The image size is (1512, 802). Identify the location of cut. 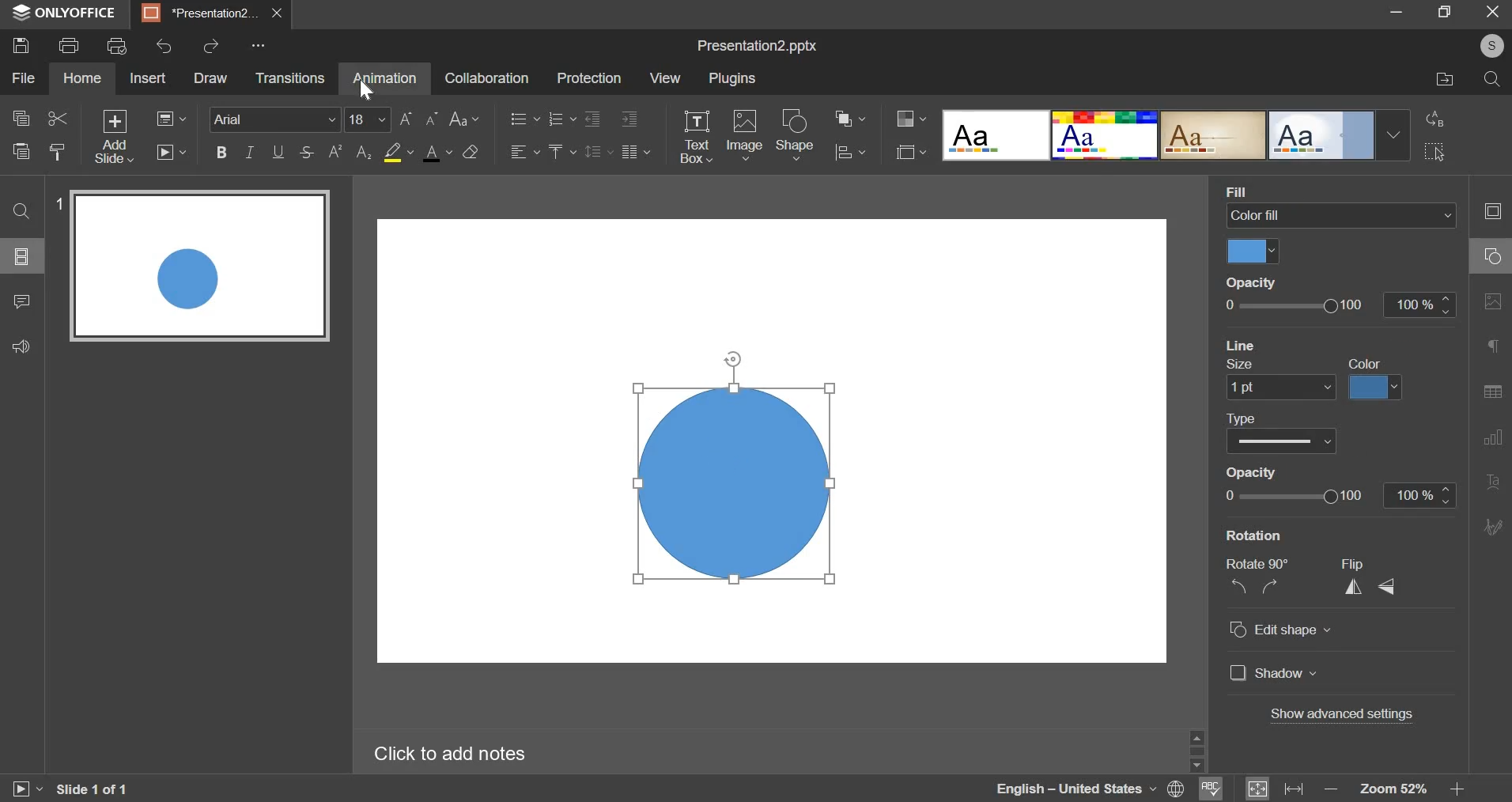
(57, 118).